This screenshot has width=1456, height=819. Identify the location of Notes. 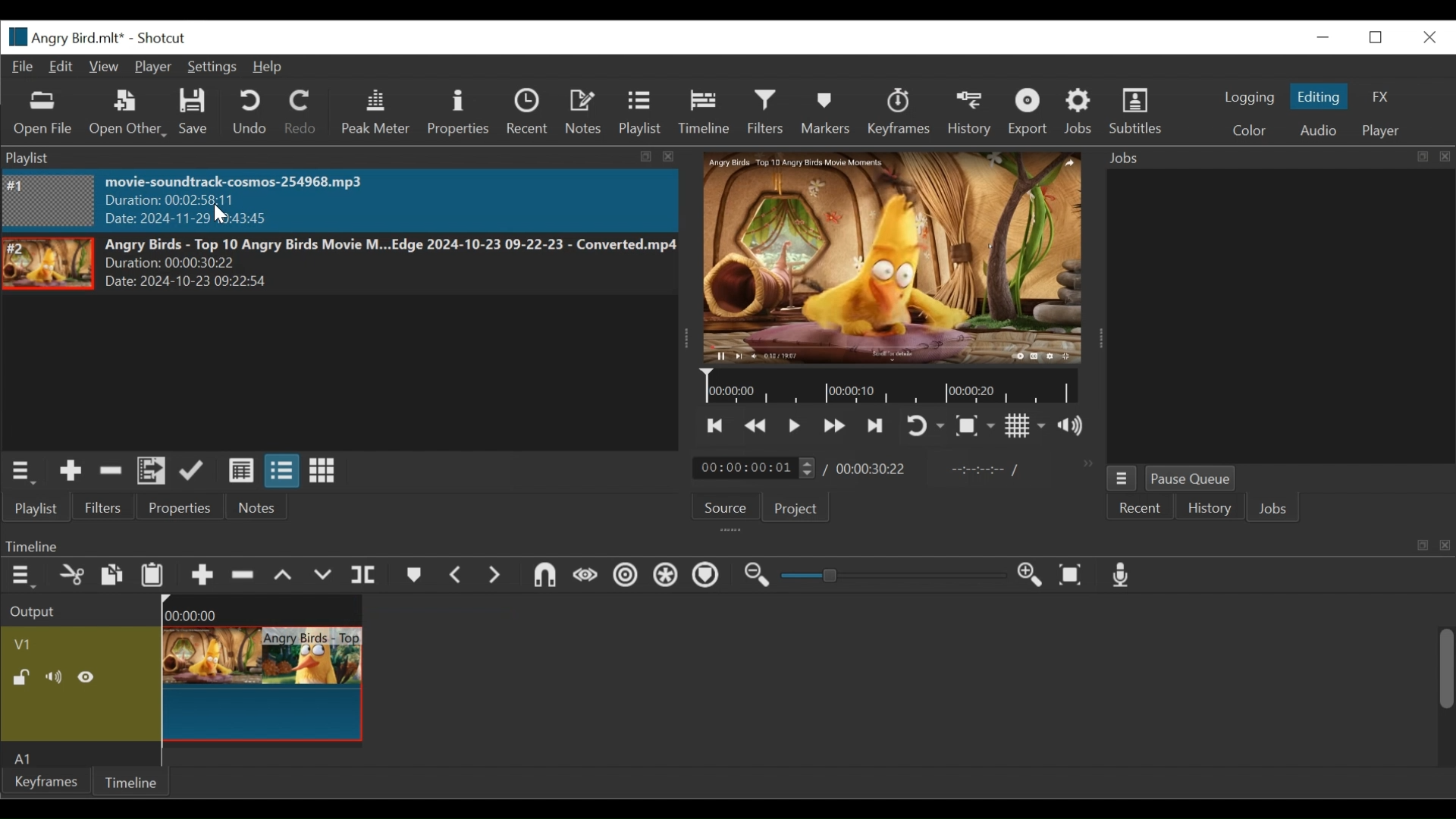
(582, 111).